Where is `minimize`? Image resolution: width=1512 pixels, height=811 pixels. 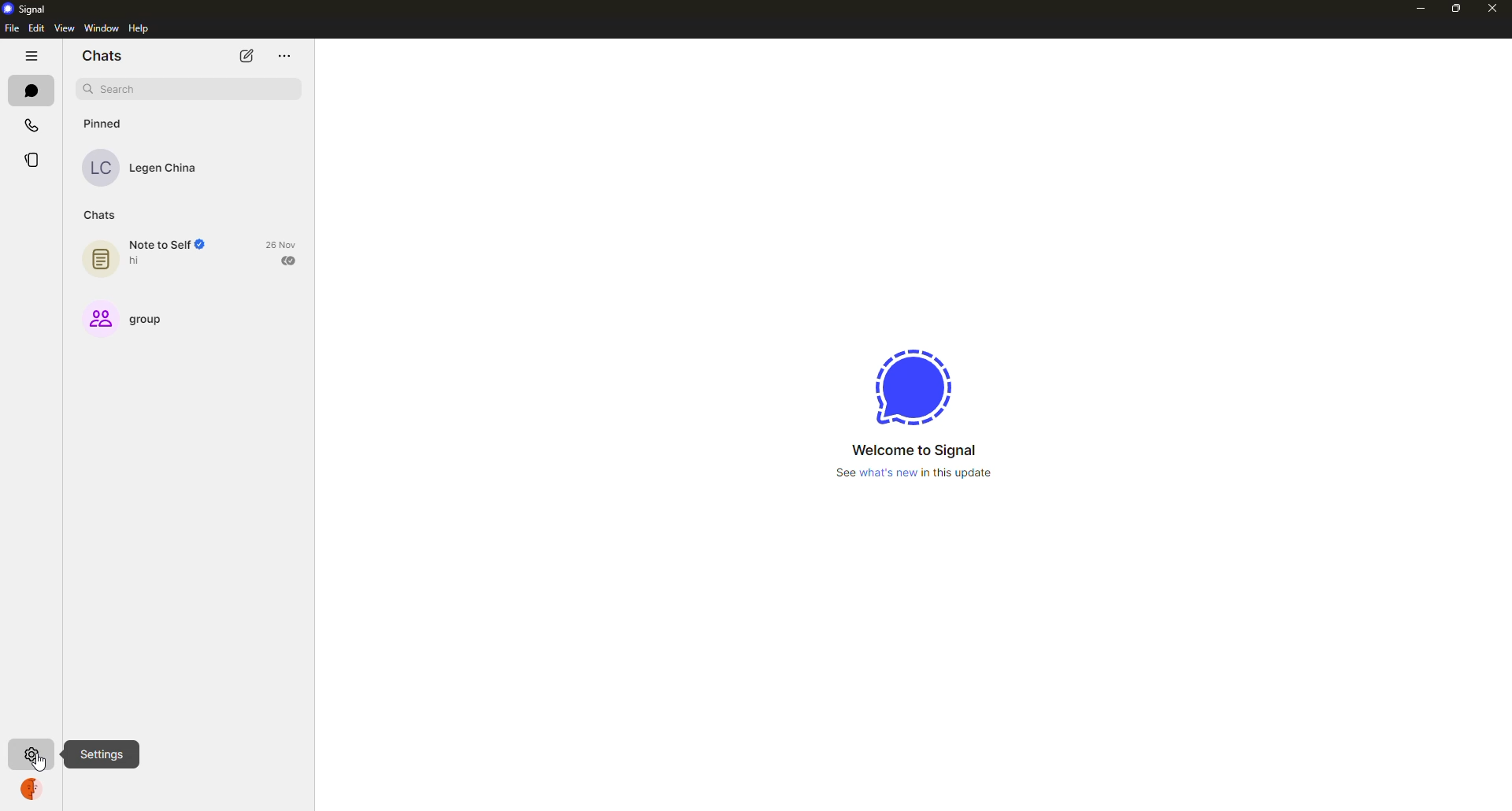
minimize is located at coordinates (1420, 8).